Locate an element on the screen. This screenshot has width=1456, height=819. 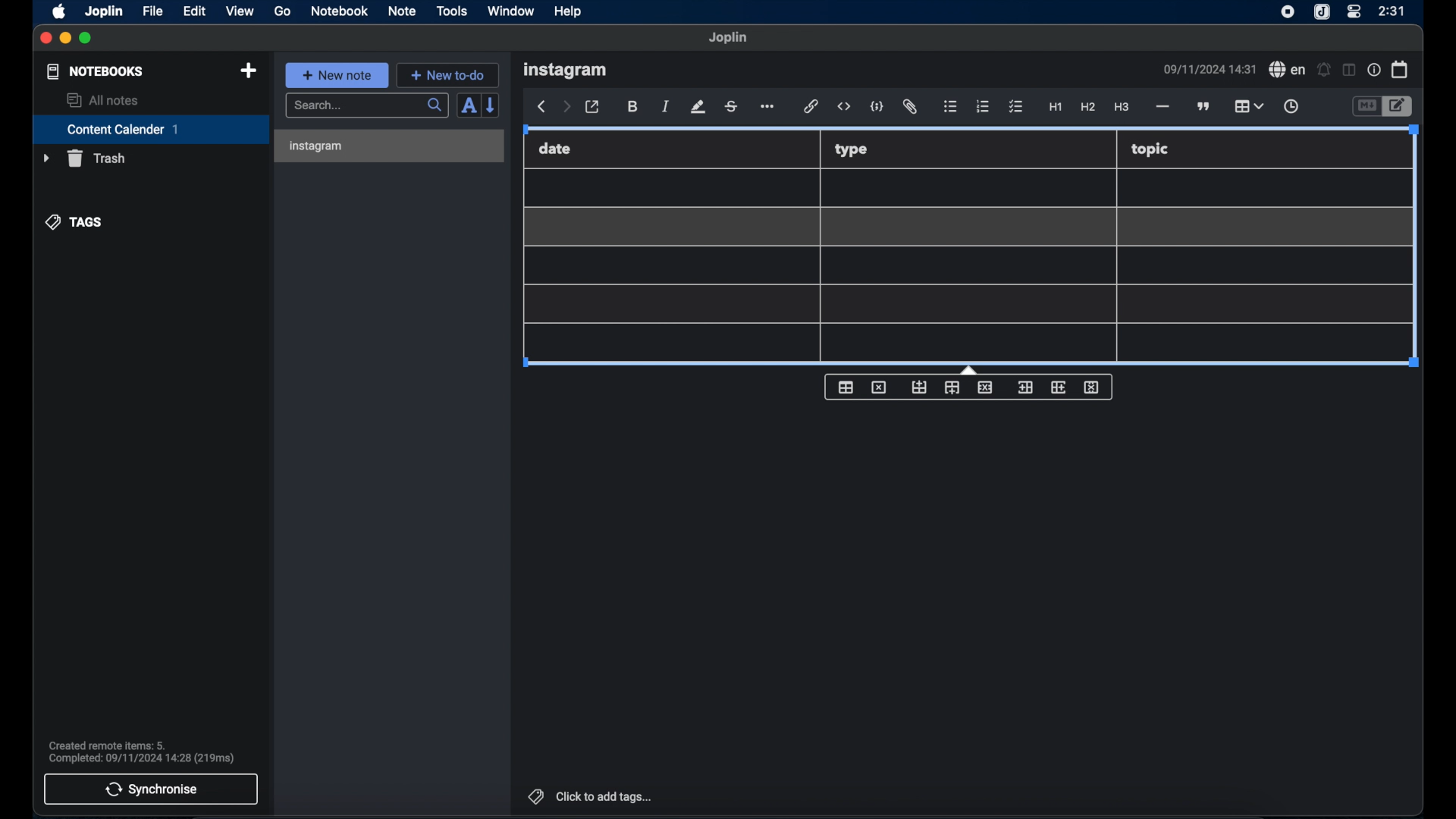
window is located at coordinates (511, 11).